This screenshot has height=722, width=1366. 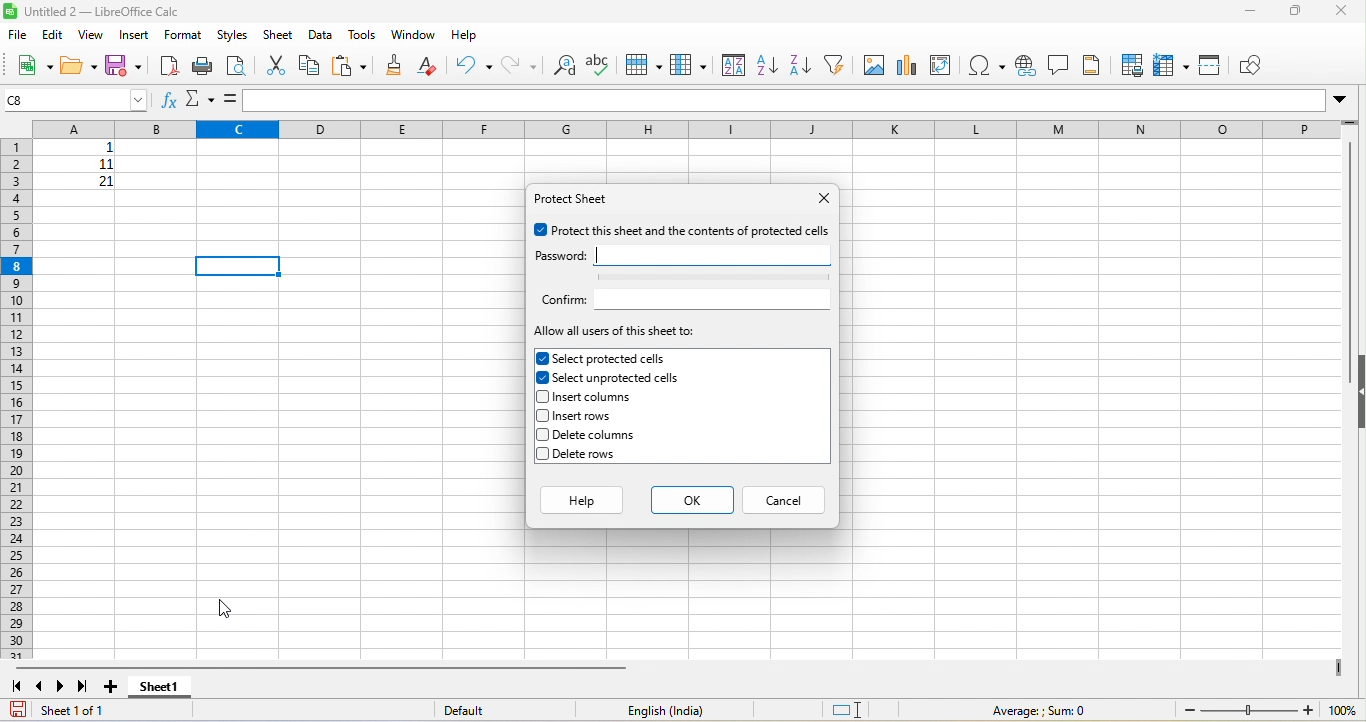 I want to click on title, so click(x=95, y=12).